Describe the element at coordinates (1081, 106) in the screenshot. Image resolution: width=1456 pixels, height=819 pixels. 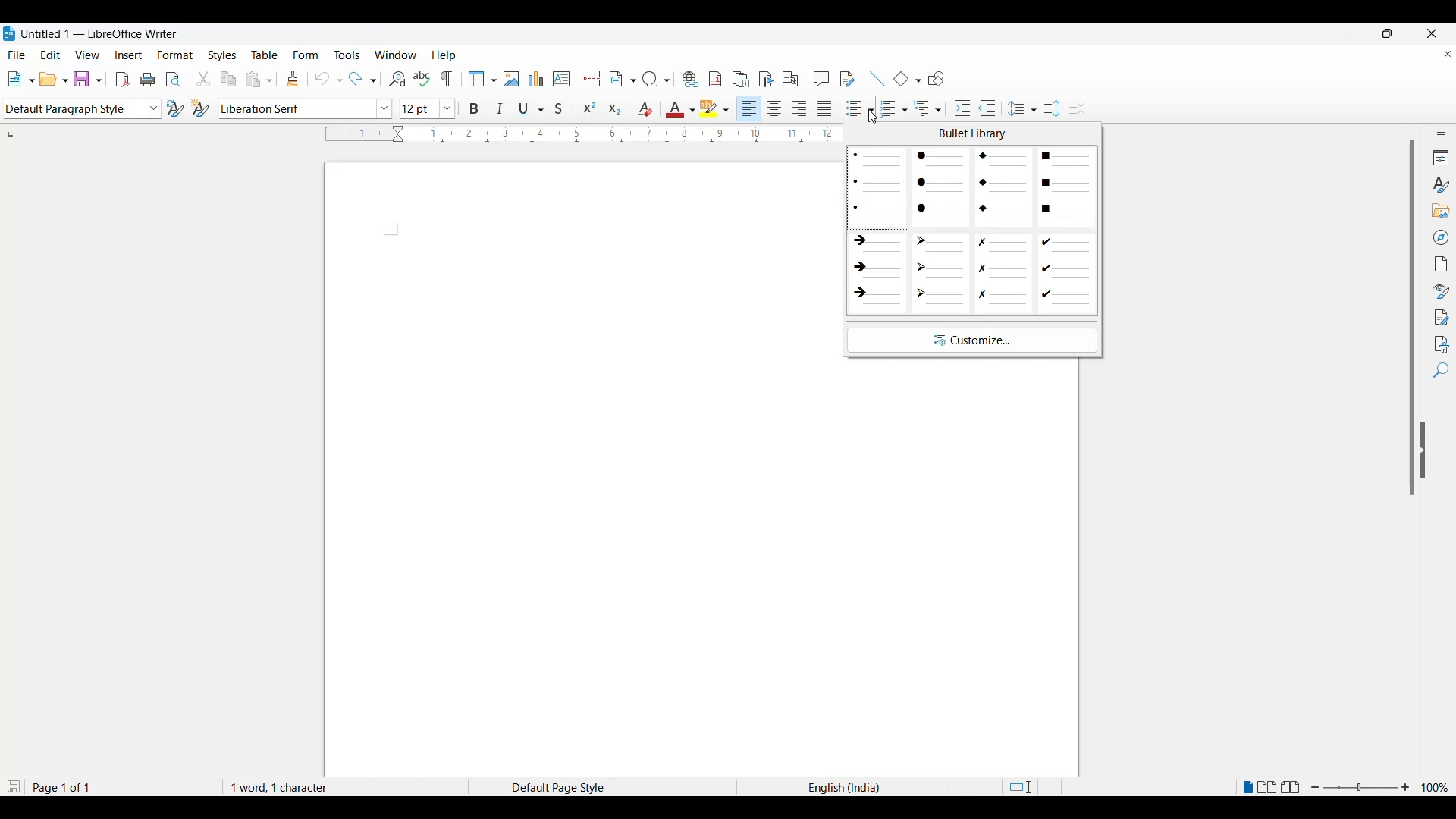
I see `Decrease line spacing` at that location.